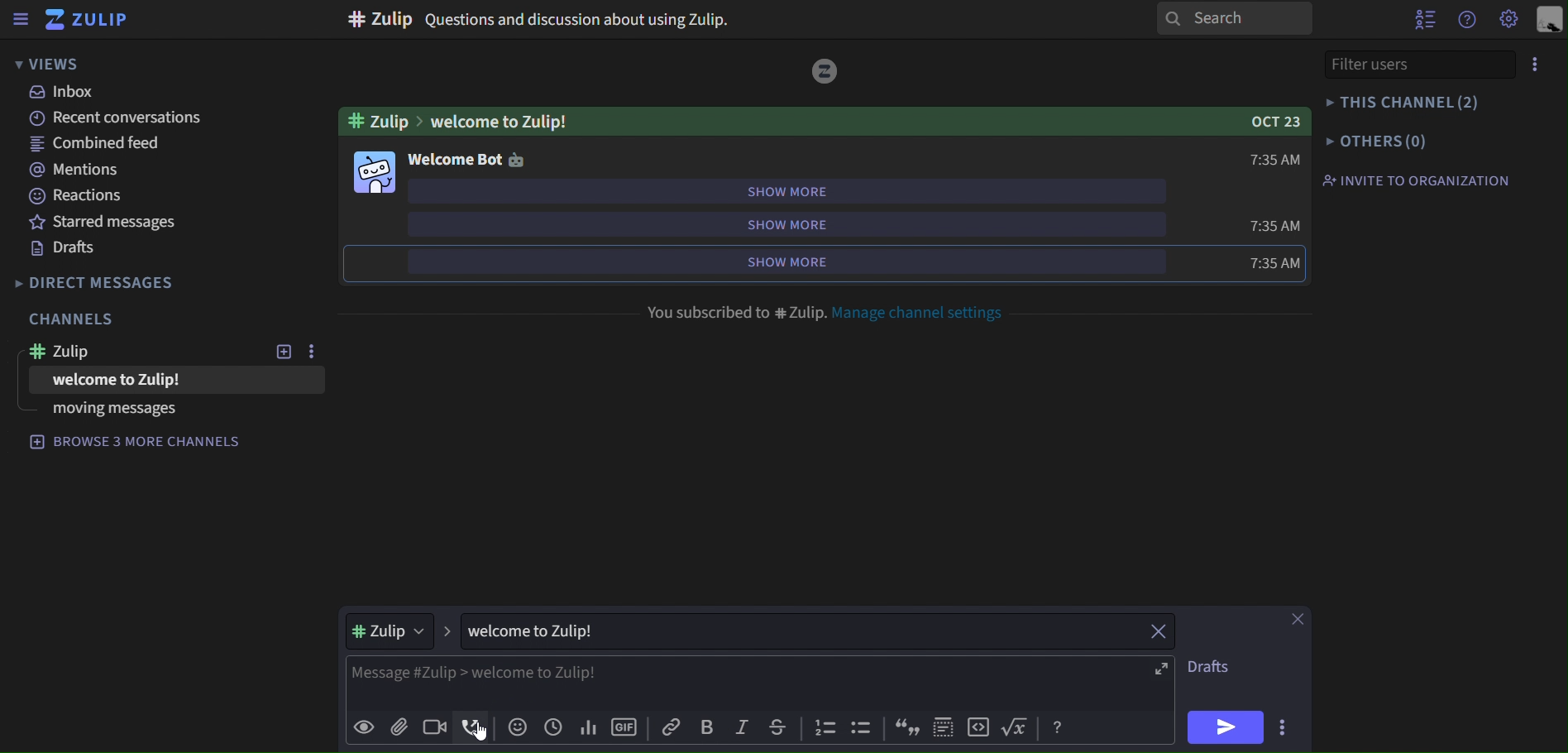 Image resolution: width=1568 pixels, height=753 pixels. I want to click on this channel (2), so click(1403, 101).